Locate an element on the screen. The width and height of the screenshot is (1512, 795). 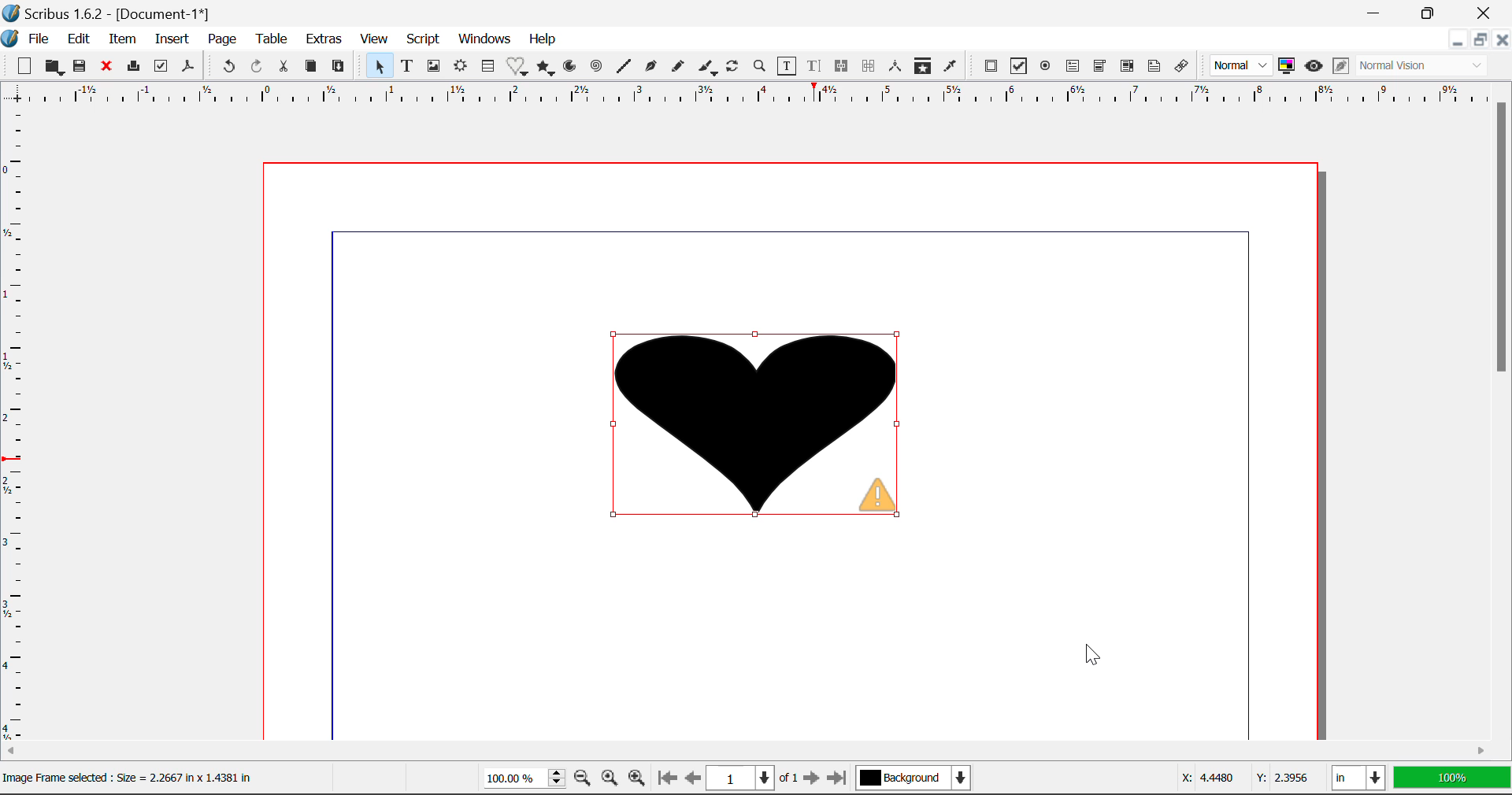
Minimize is located at coordinates (1482, 42).